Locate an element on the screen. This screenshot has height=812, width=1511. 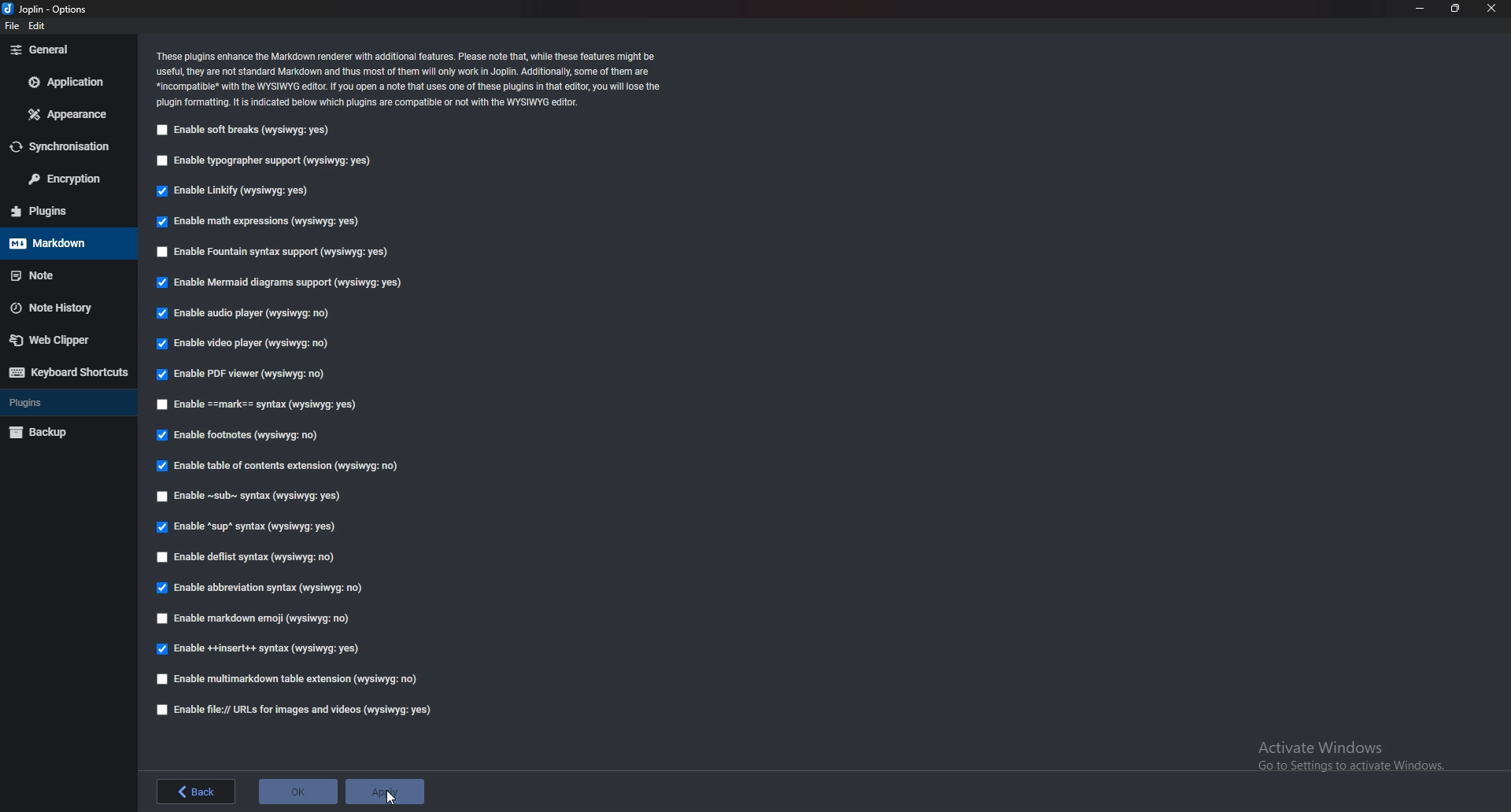
Webclipper is located at coordinates (67, 339).